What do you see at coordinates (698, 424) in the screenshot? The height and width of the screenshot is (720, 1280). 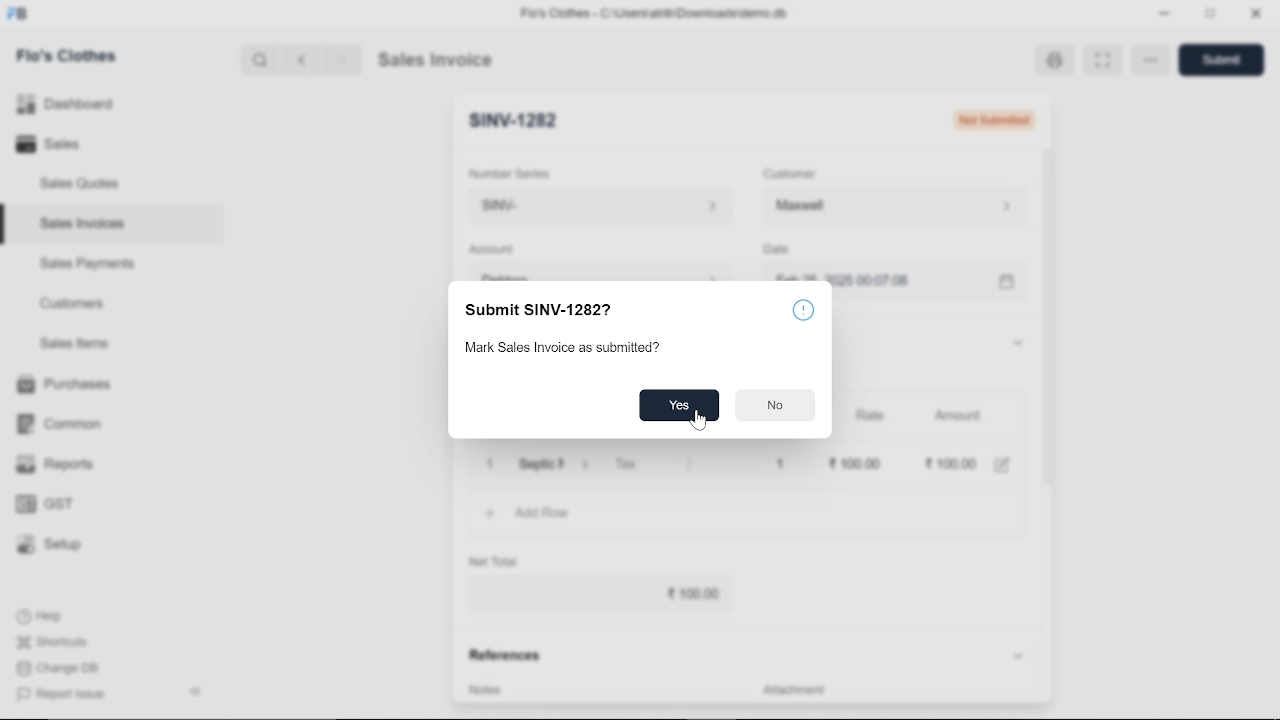 I see `cursor` at bounding box center [698, 424].